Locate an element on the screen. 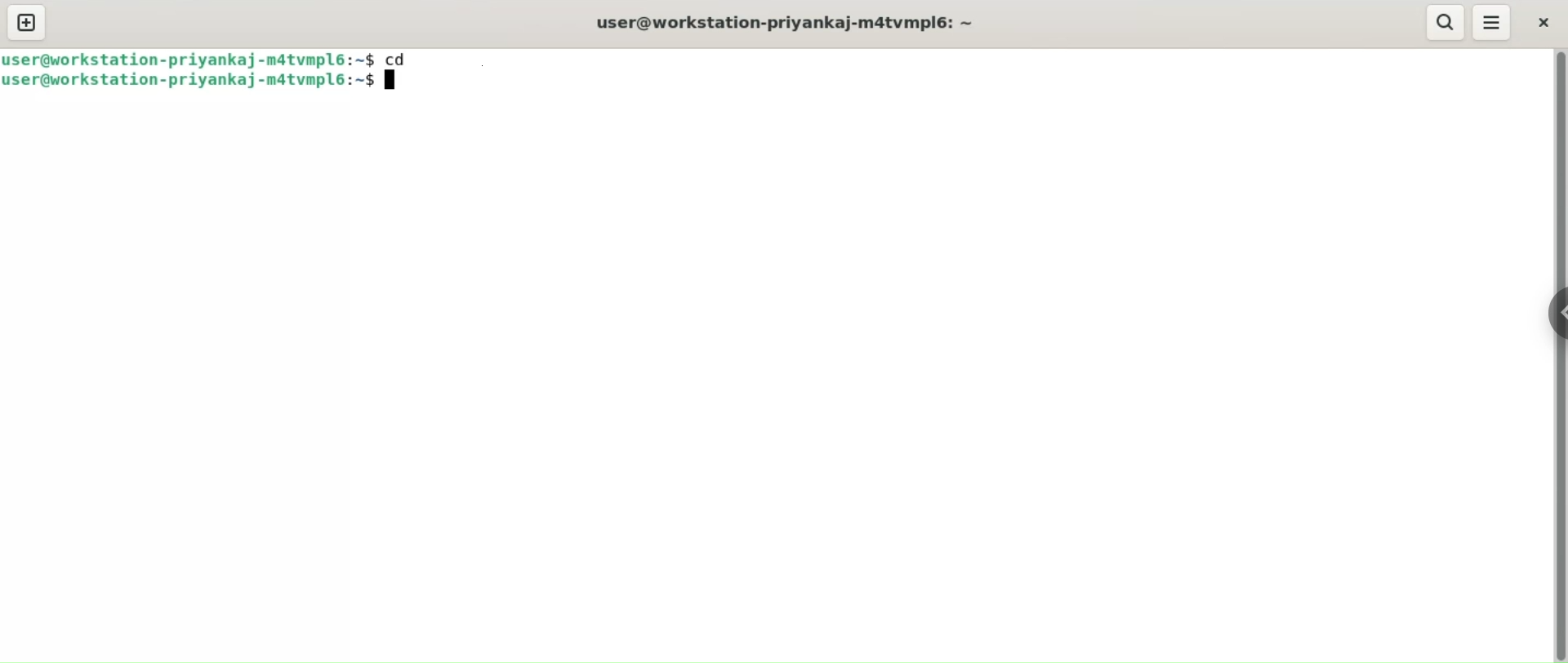 The image size is (1568, 663). user@workstation-priyankaj-m4atvmpl6:~ is located at coordinates (791, 23).